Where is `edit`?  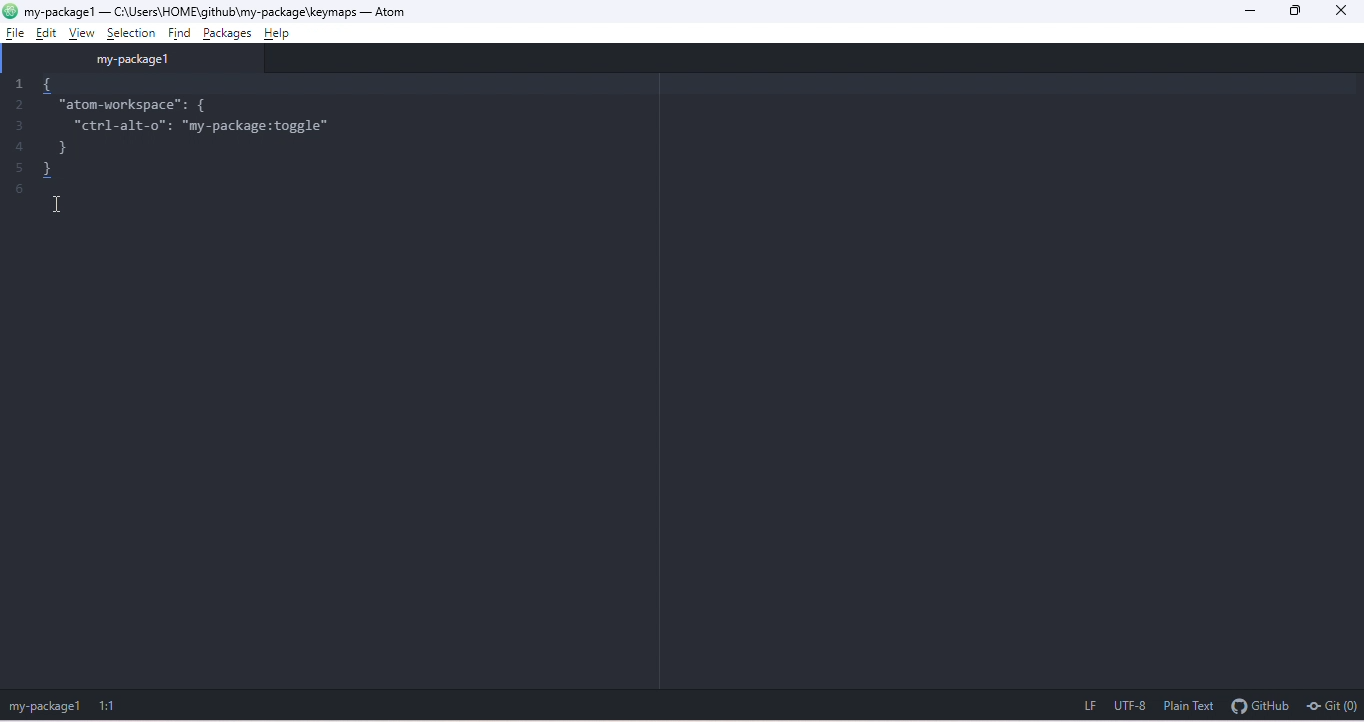 edit is located at coordinates (47, 32).